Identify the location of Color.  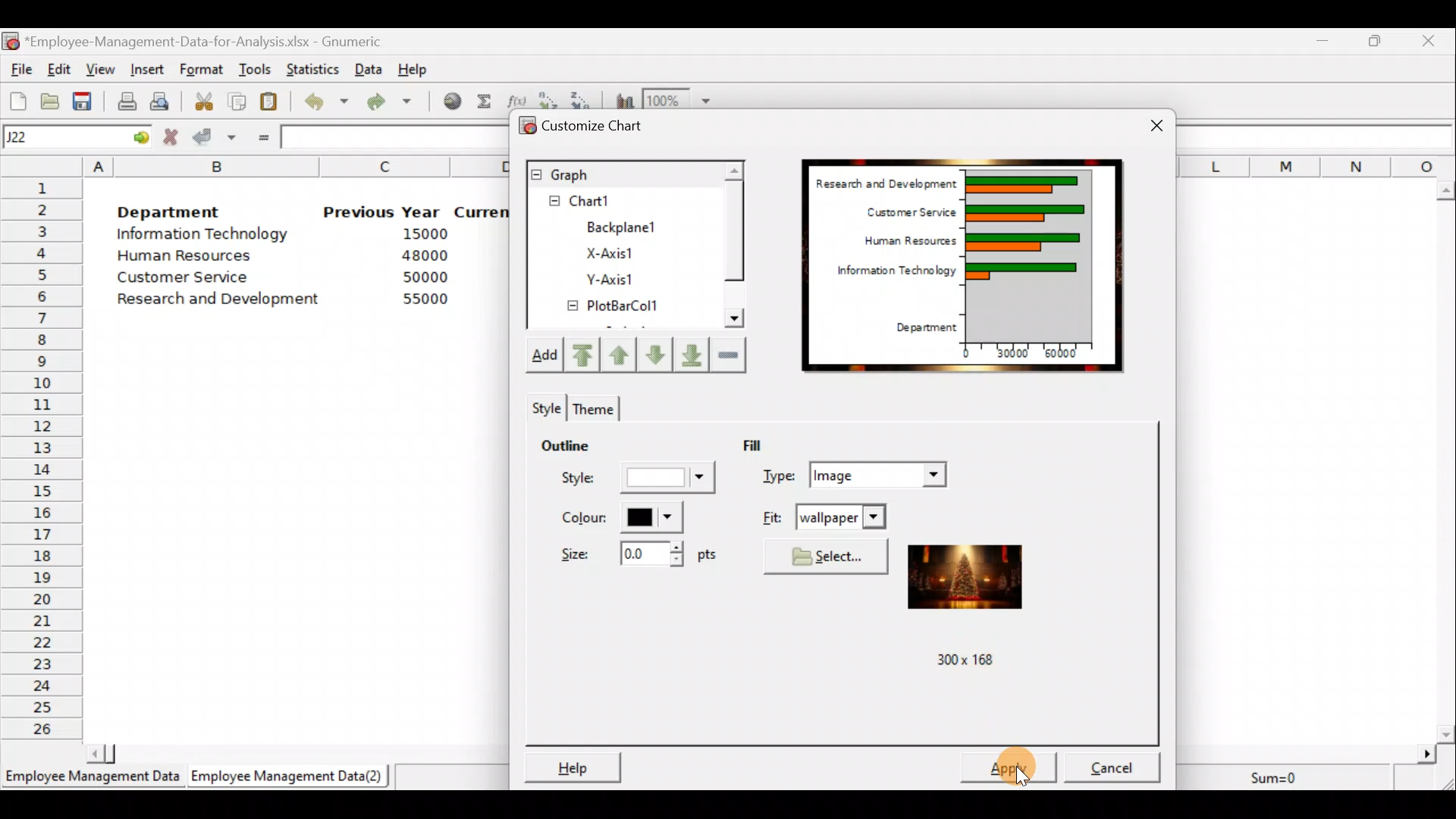
(623, 518).